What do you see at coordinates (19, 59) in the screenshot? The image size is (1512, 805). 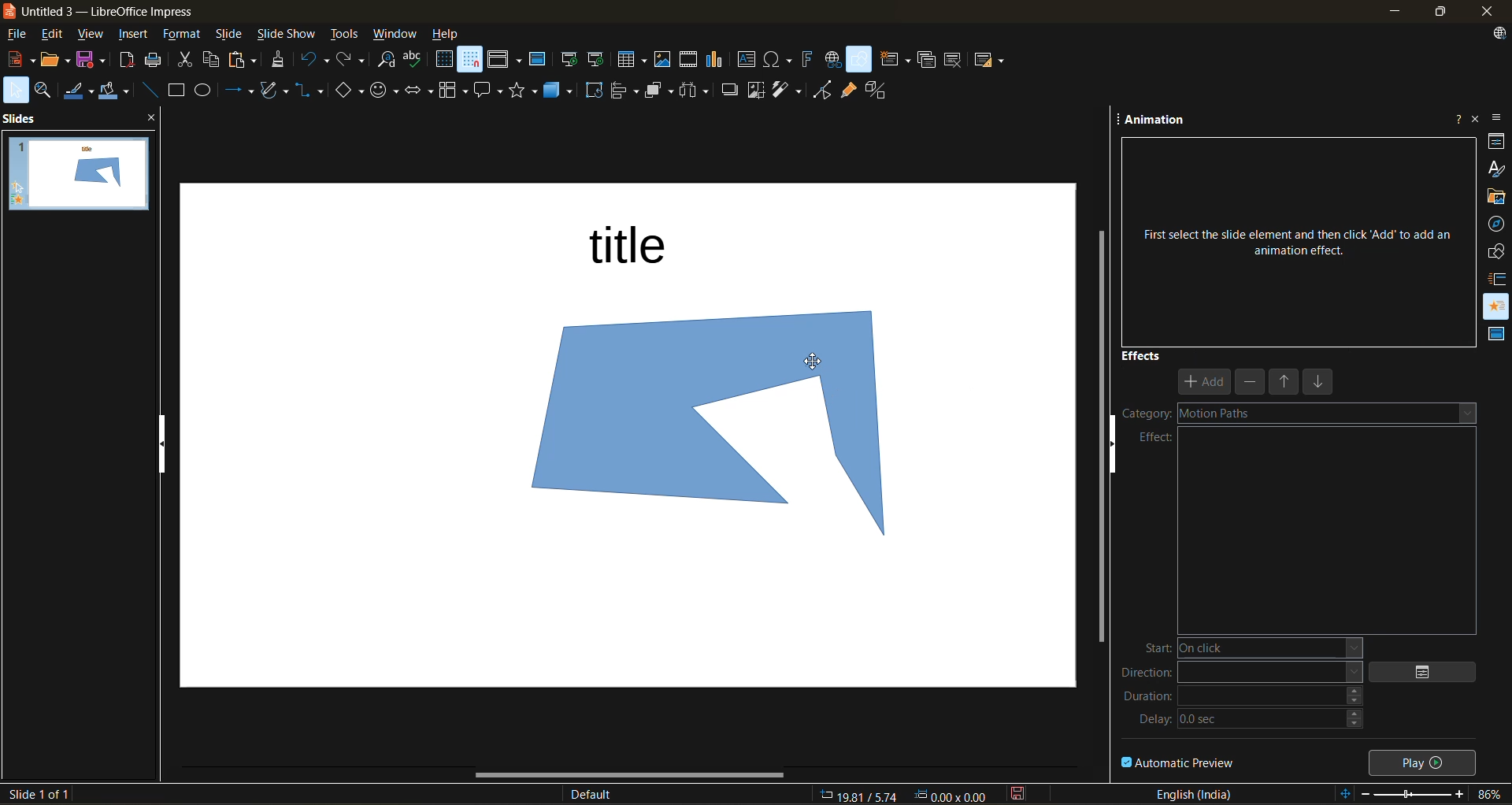 I see `new` at bounding box center [19, 59].